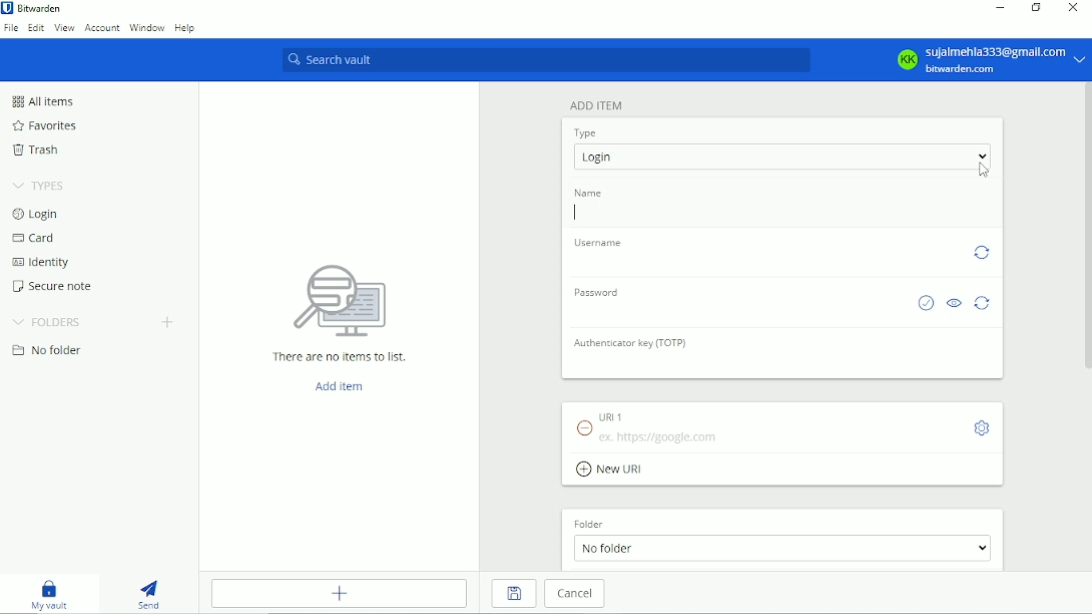 This screenshot has width=1092, height=614. I want to click on All items, so click(41, 101).